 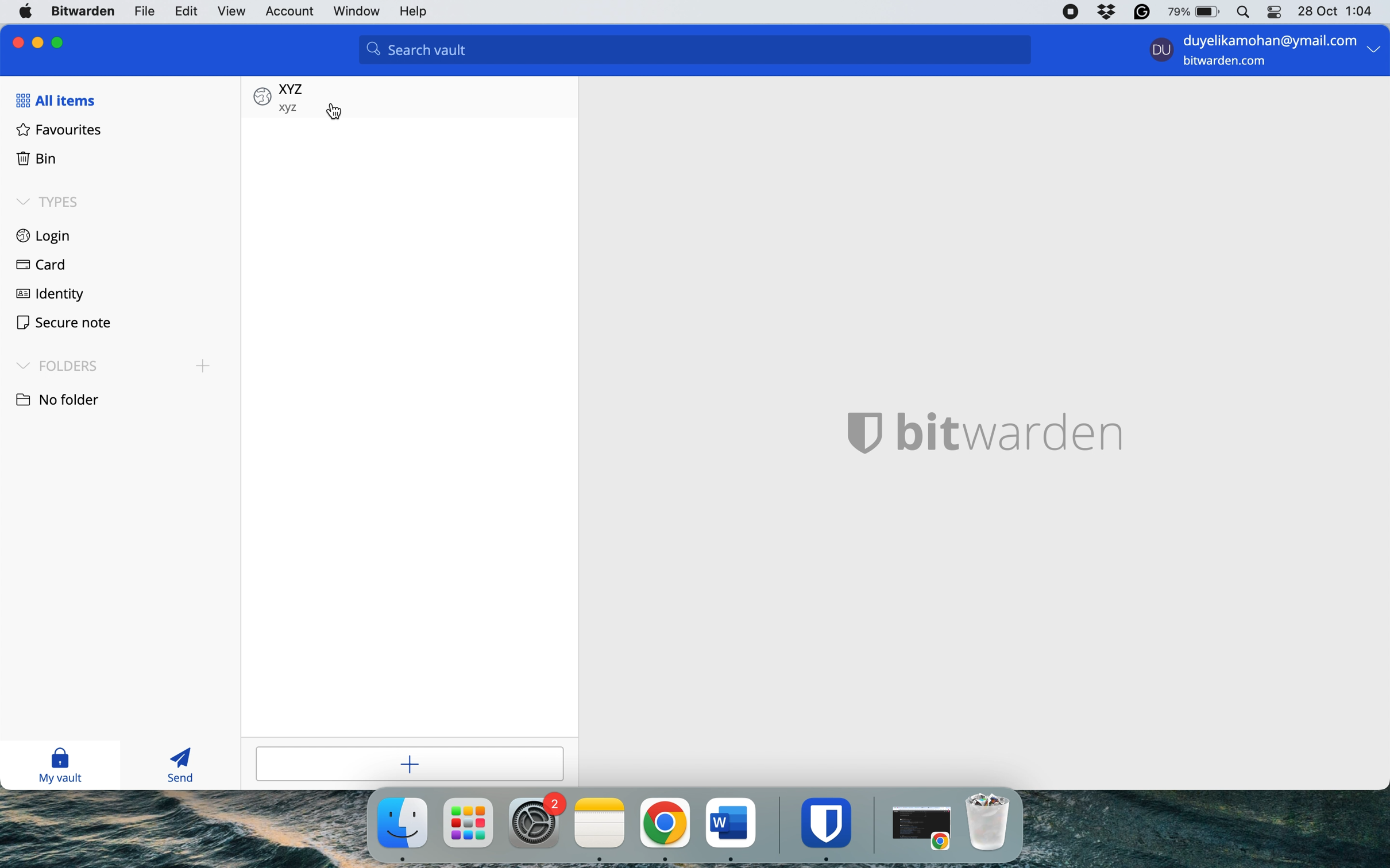 What do you see at coordinates (1072, 12) in the screenshot?
I see `screen recorder` at bounding box center [1072, 12].